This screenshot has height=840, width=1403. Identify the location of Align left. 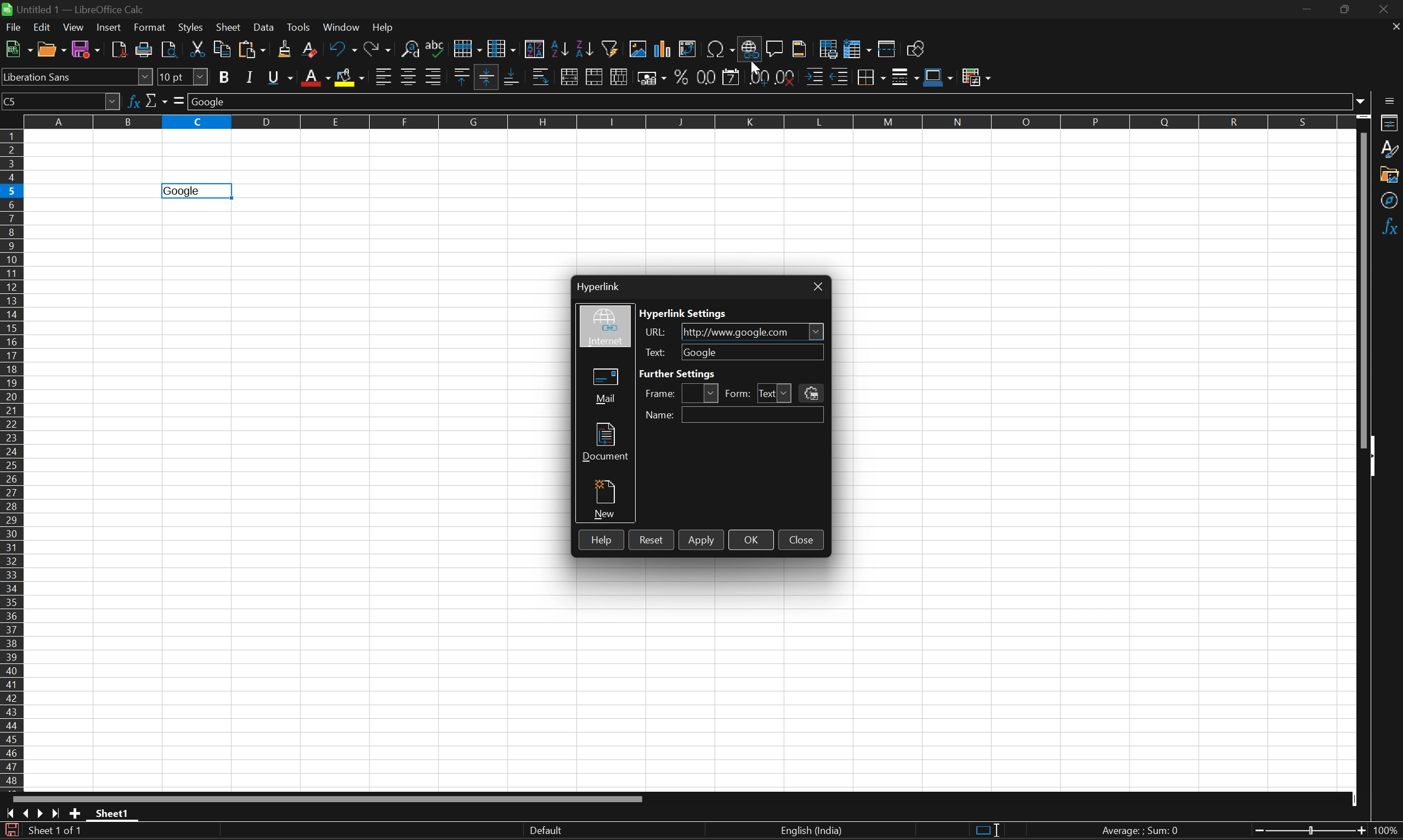
(383, 78).